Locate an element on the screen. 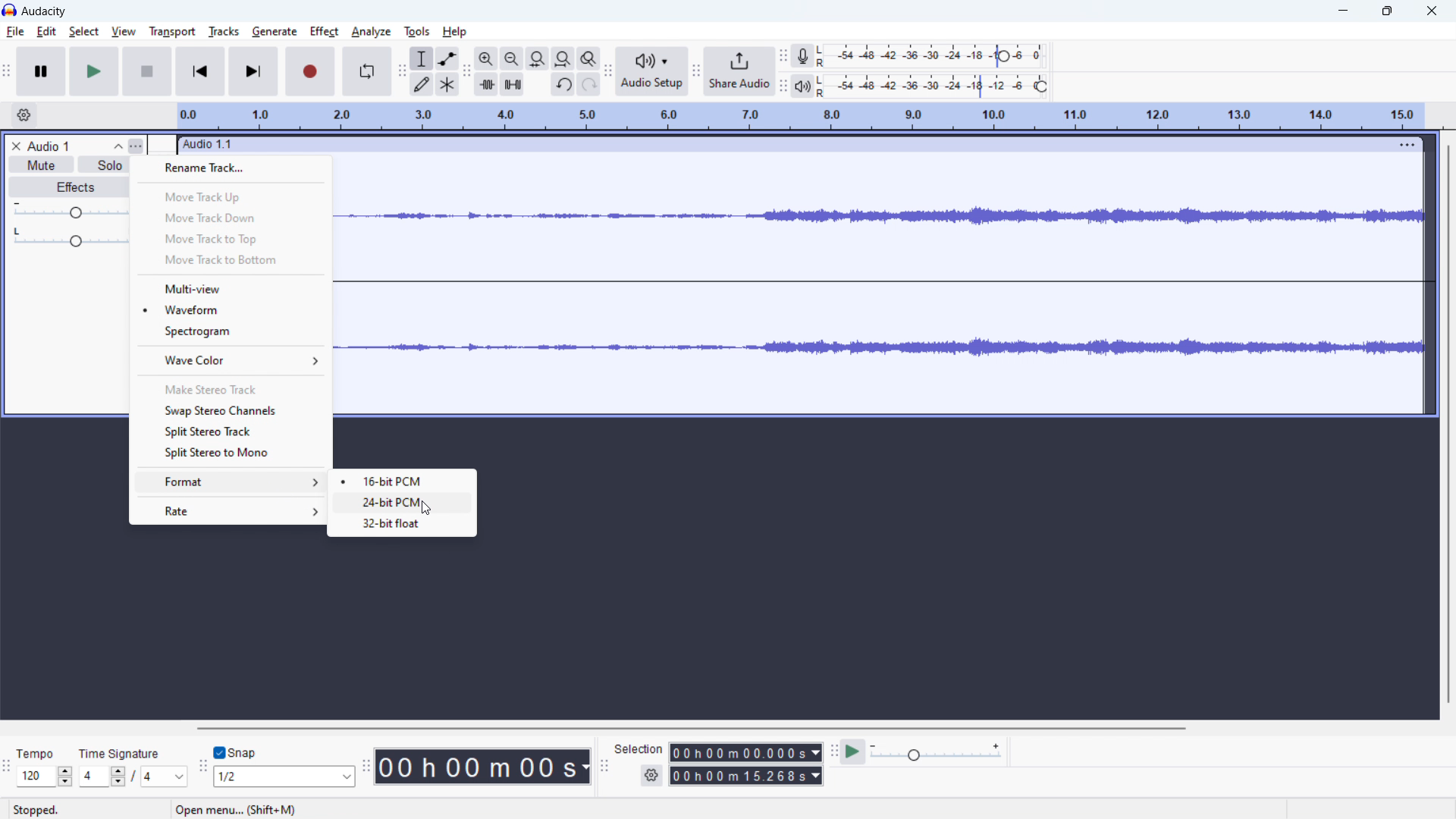 The width and height of the screenshot is (1456, 819). stop is located at coordinates (147, 71).